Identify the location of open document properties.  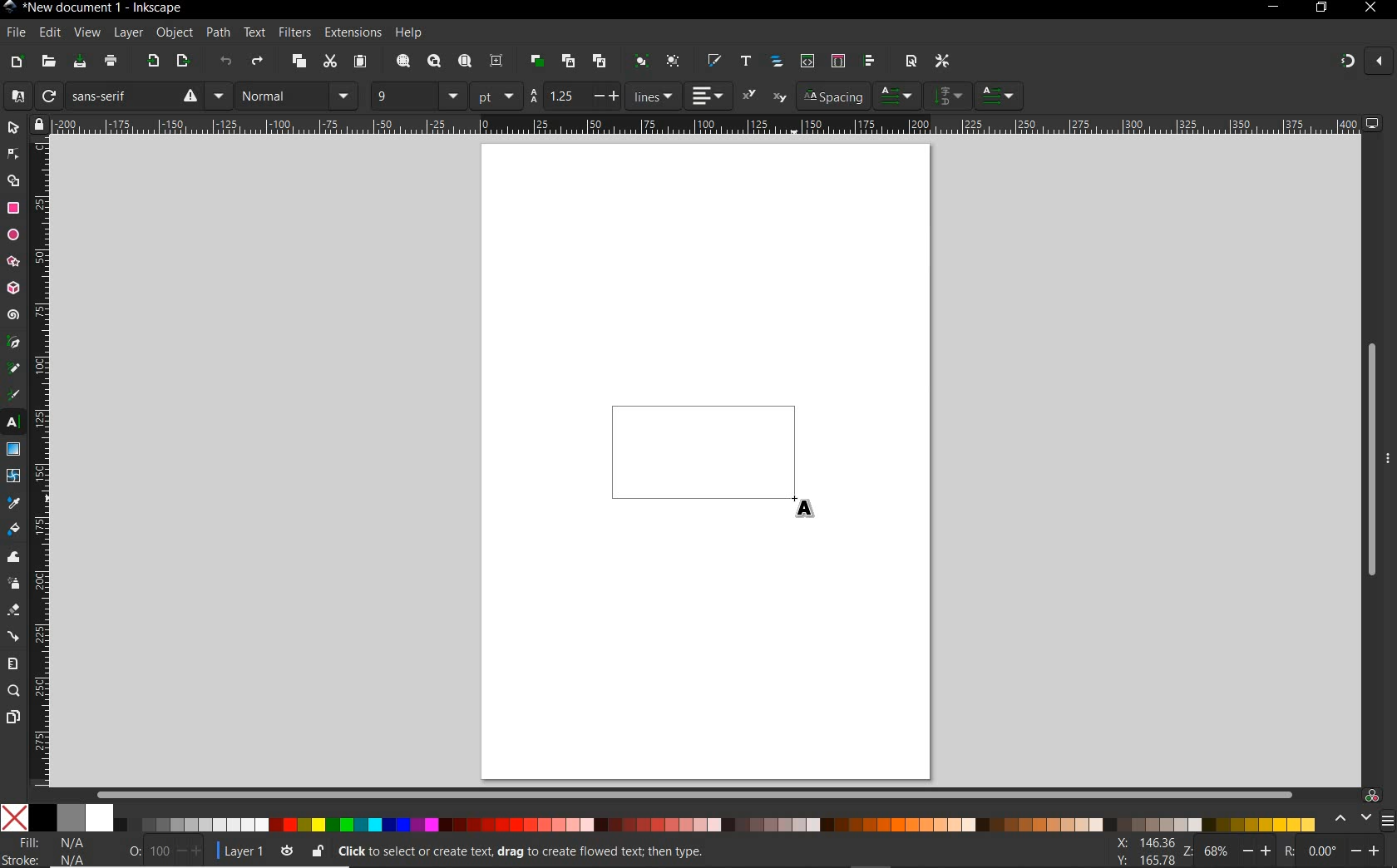
(911, 60).